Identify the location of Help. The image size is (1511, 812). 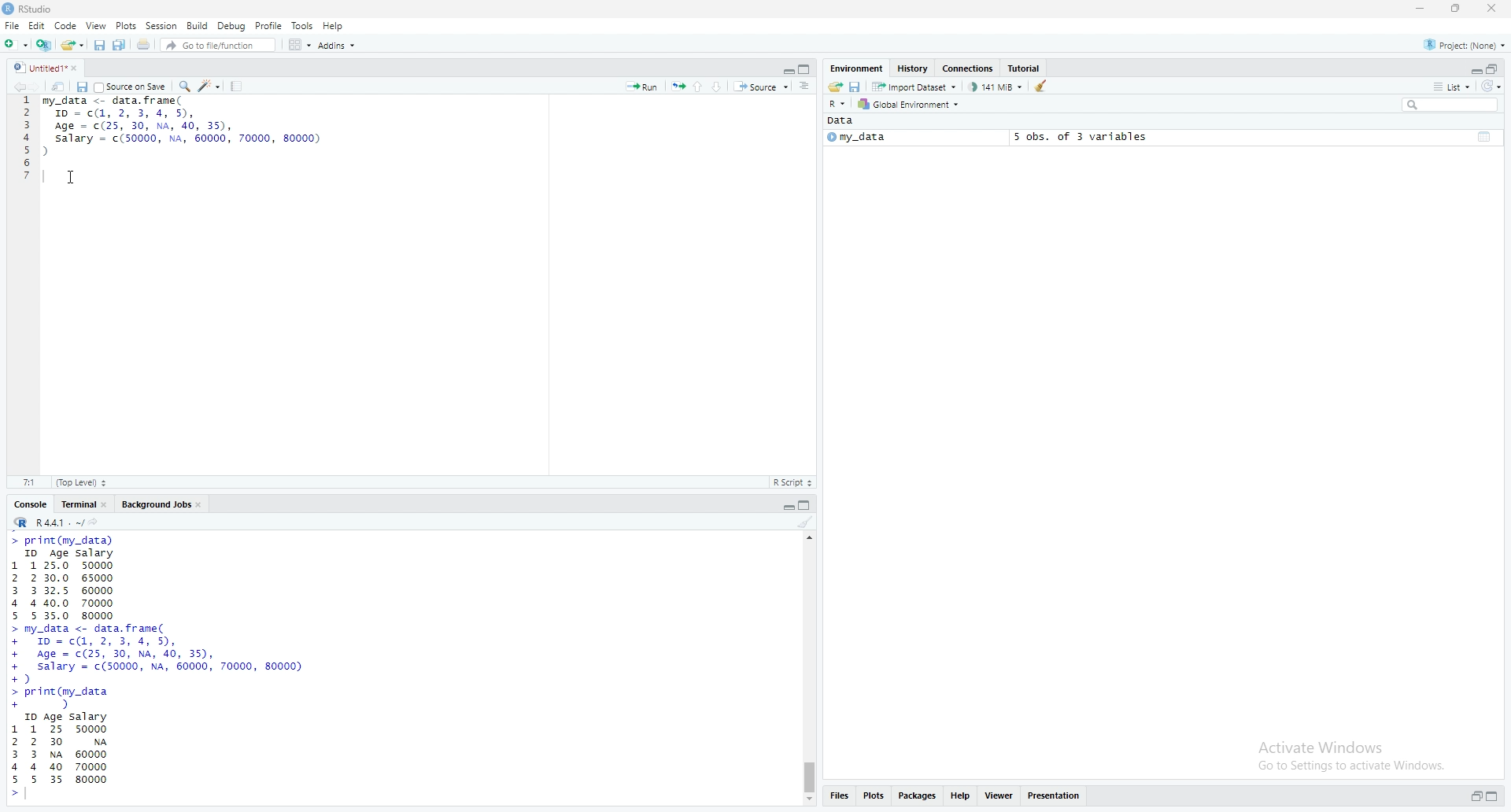
(334, 25).